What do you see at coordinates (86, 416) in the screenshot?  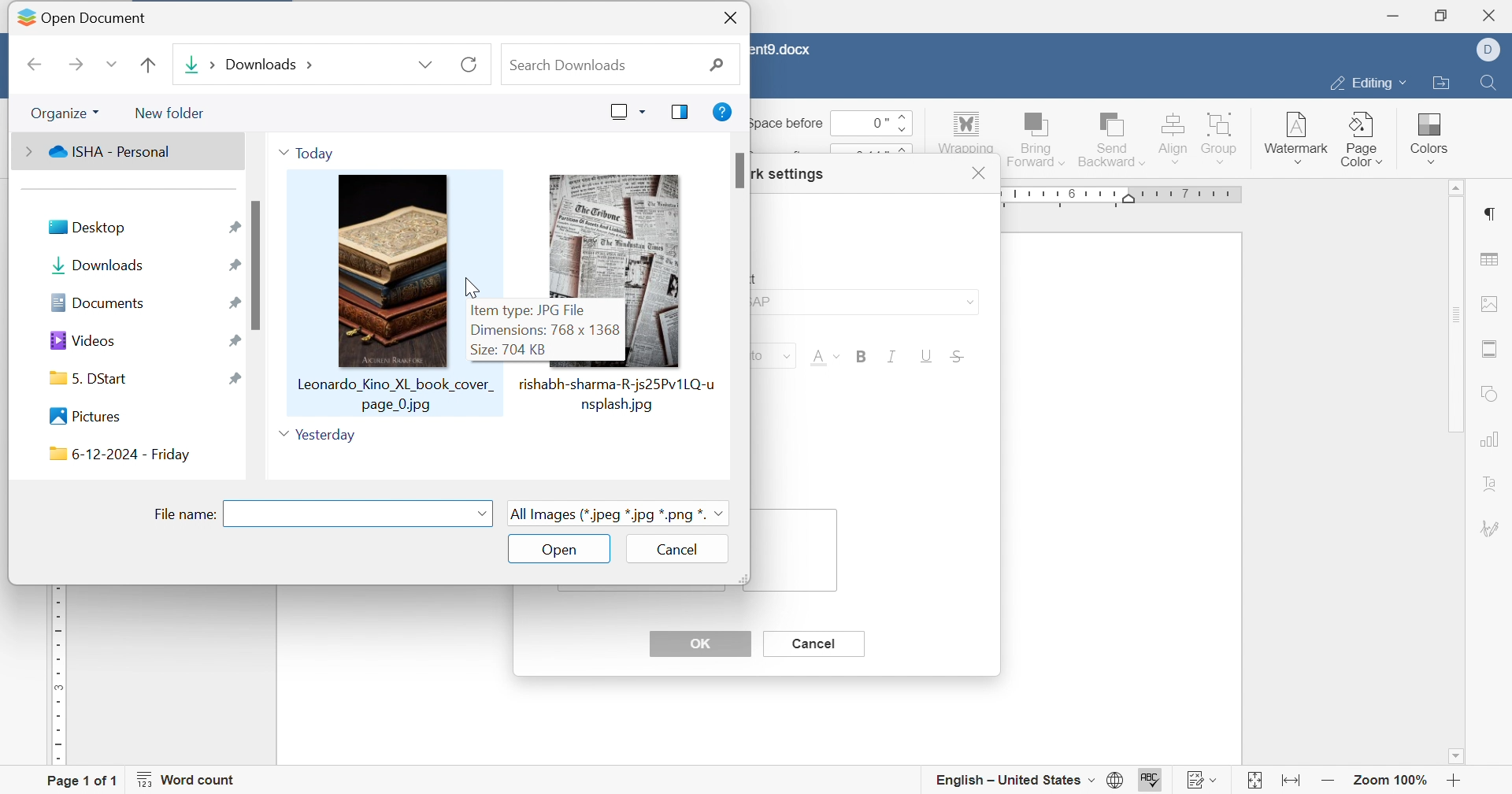 I see `pictures` at bounding box center [86, 416].